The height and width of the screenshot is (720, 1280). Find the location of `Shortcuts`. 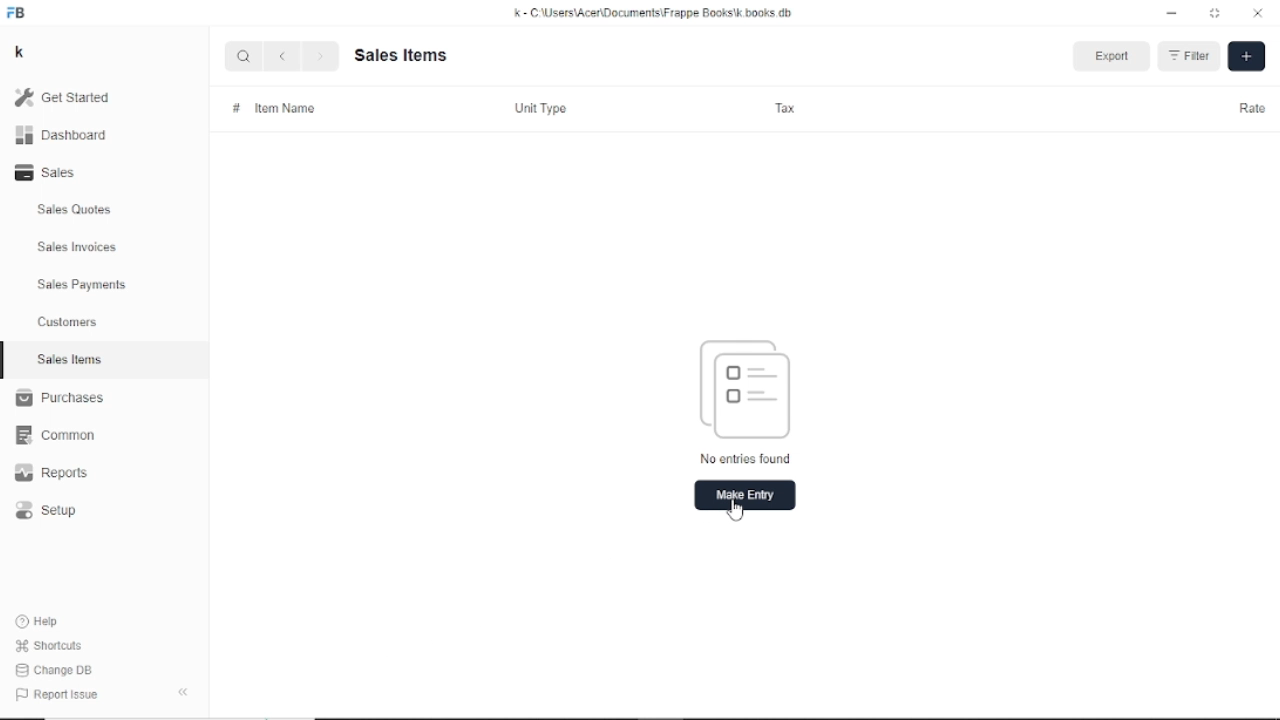

Shortcuts is located at coordinates (51, 647).